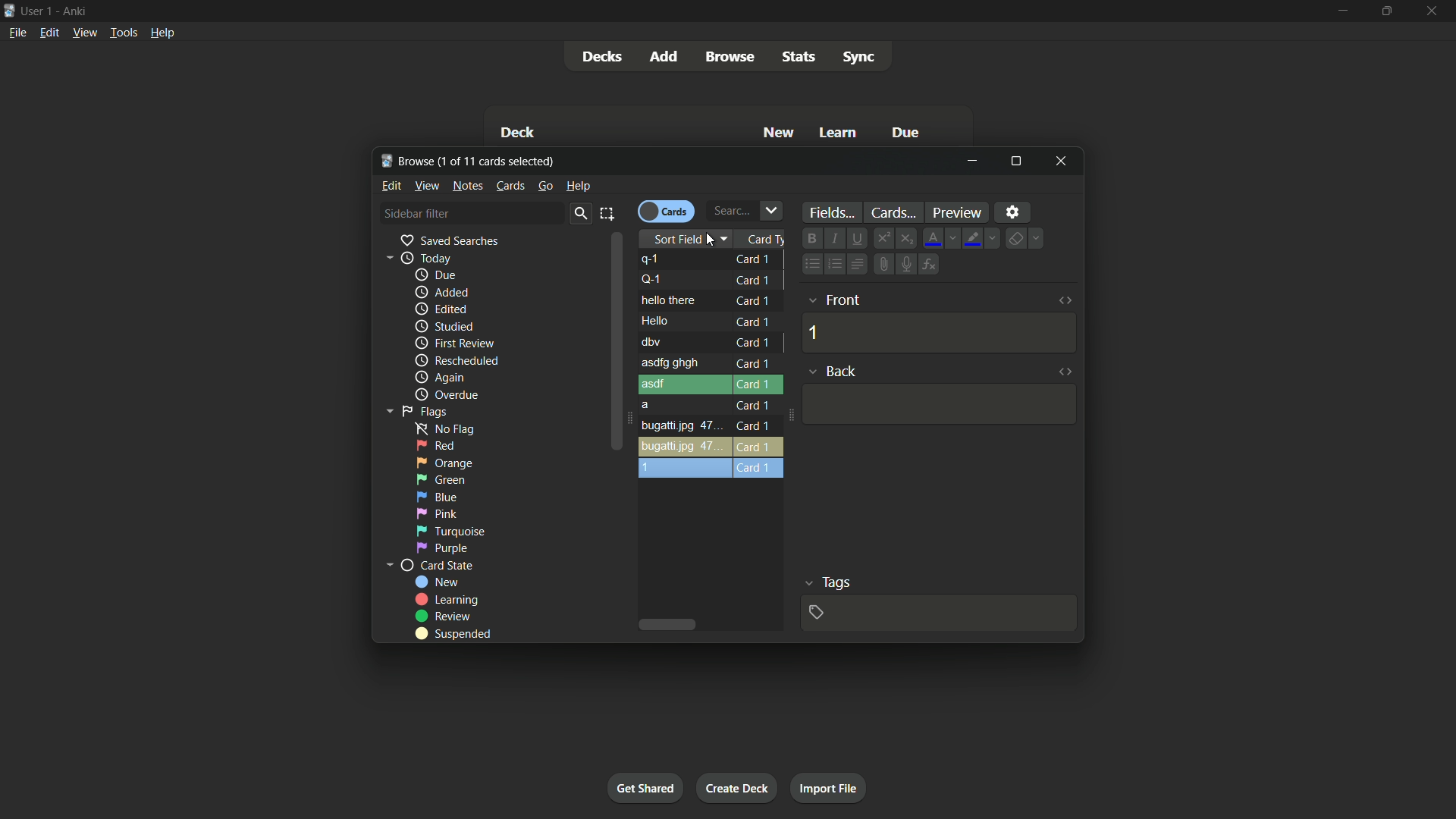 This screenshot has width=1456, height=819. I want to click on overdue, so click(450, 395).